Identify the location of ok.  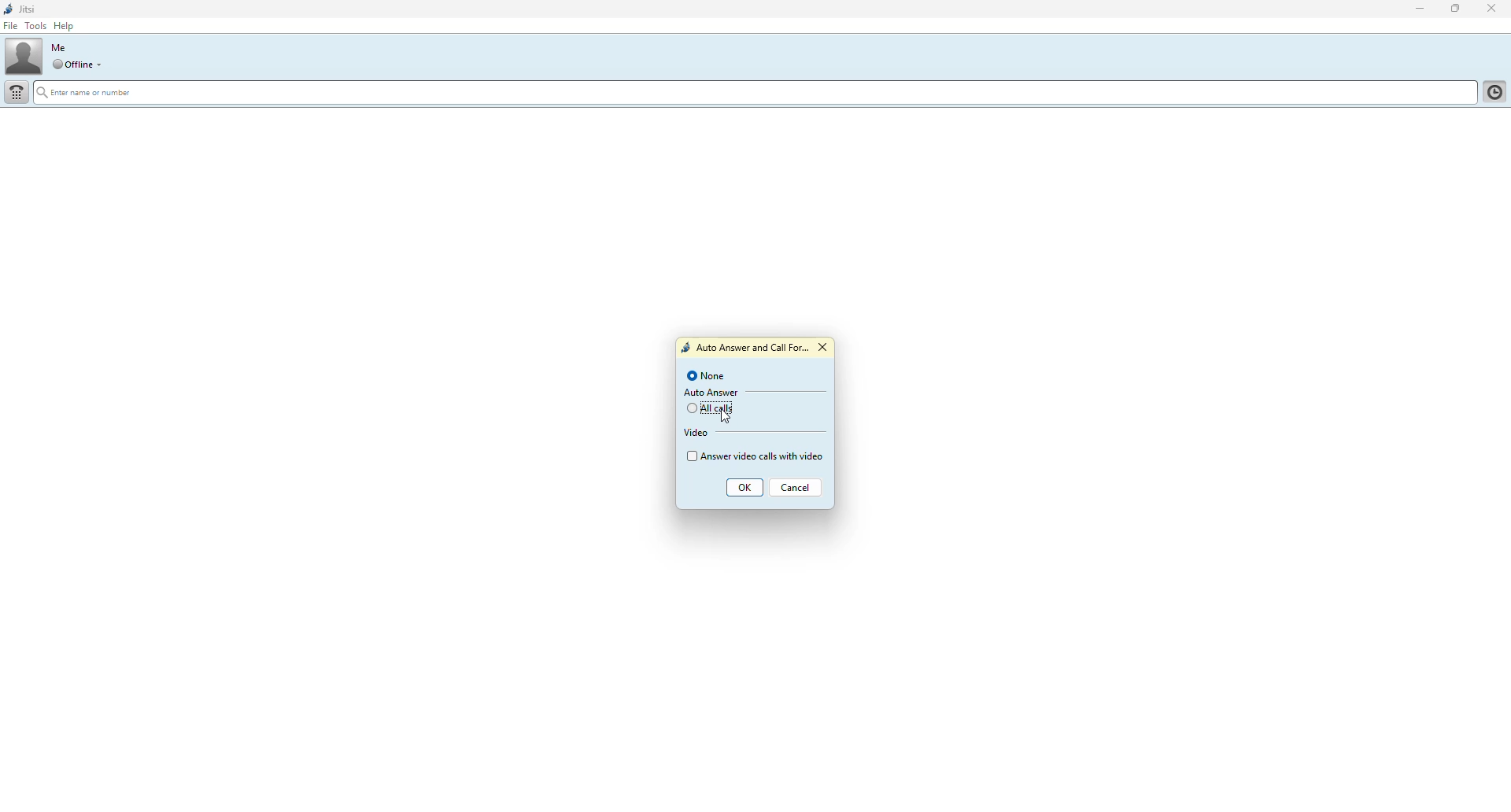
(745, 490).